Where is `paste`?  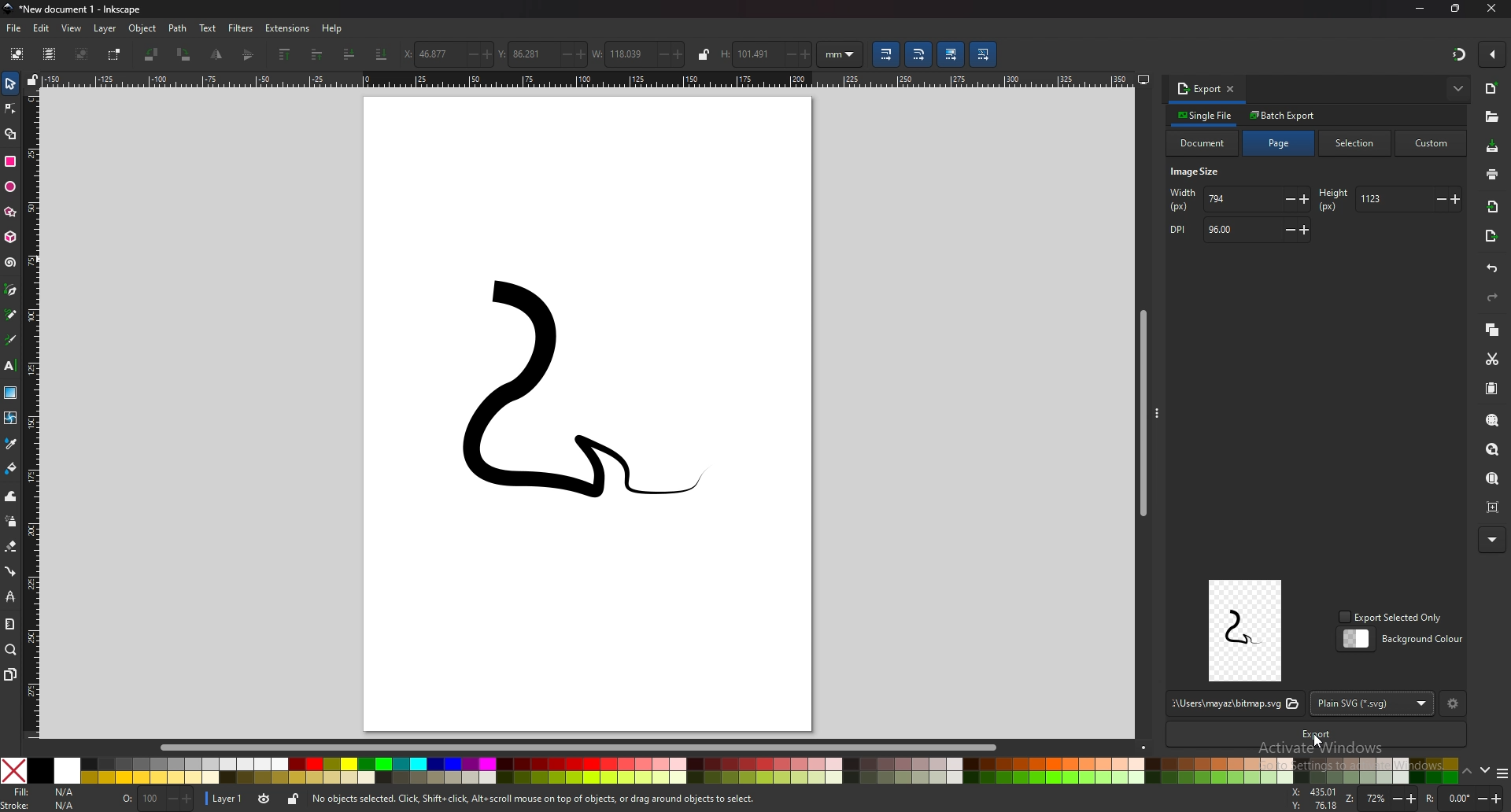 paste is located at coordinates (1493, 389).